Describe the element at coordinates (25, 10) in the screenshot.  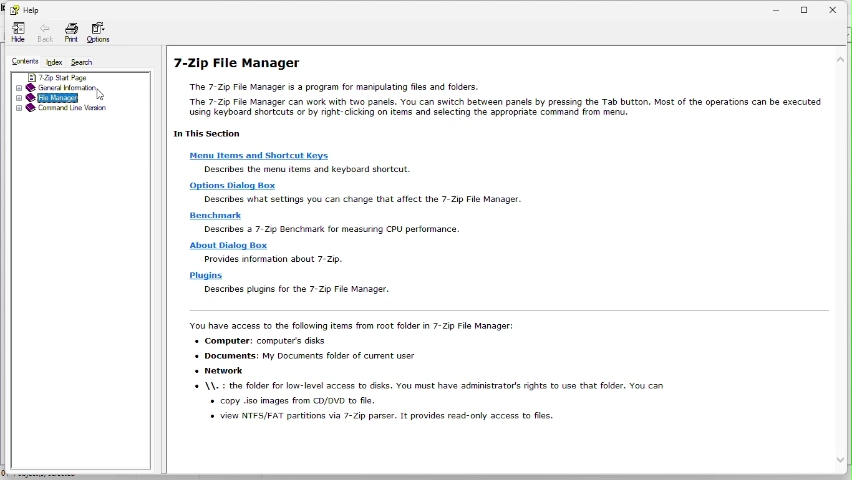
I see `help` at that location.